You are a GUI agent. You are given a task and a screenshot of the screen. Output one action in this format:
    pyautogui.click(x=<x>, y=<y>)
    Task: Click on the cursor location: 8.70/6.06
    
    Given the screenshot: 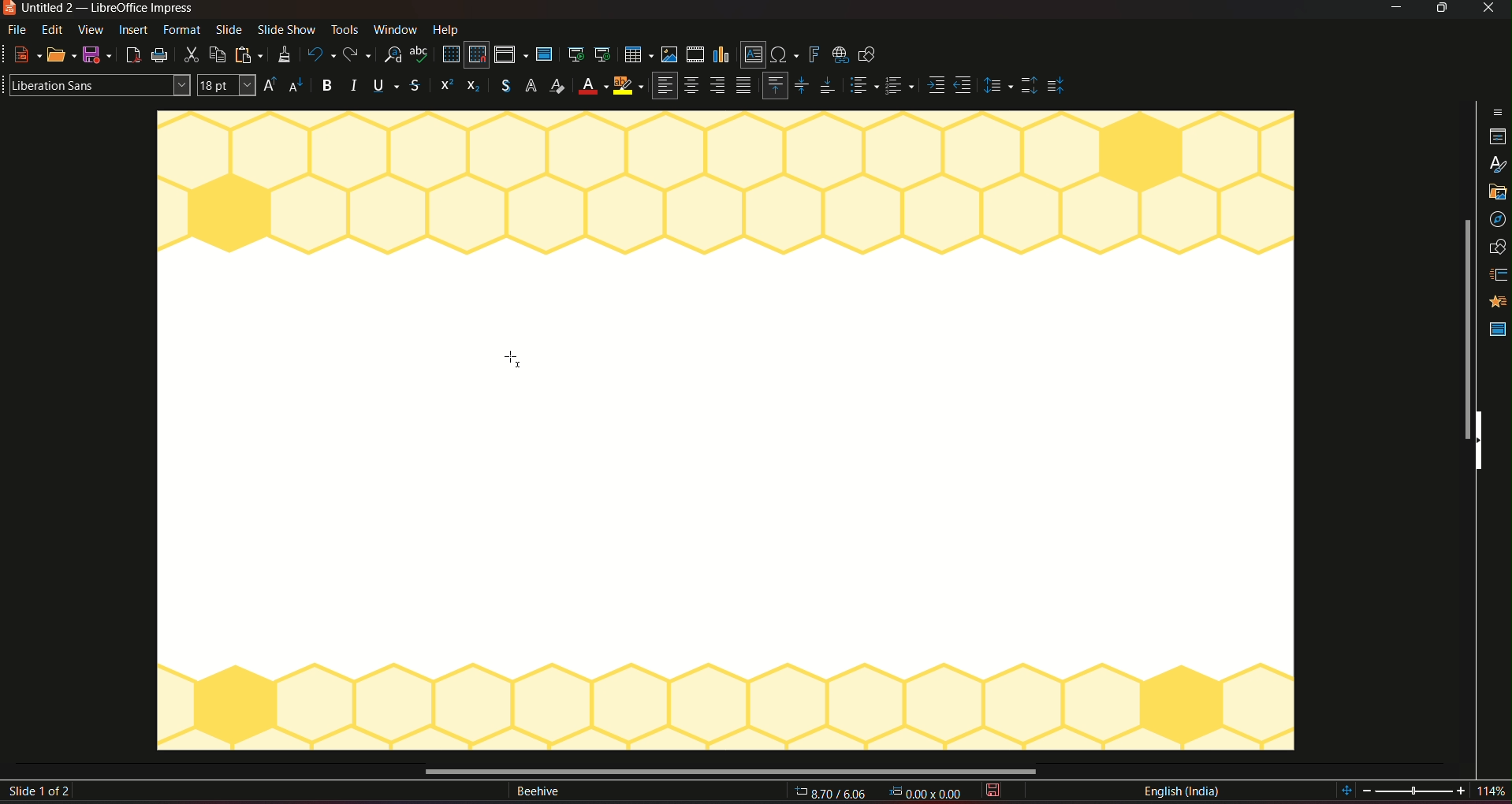 What is the action you would take?
    pyautogui.click(x=832, y=795)
    